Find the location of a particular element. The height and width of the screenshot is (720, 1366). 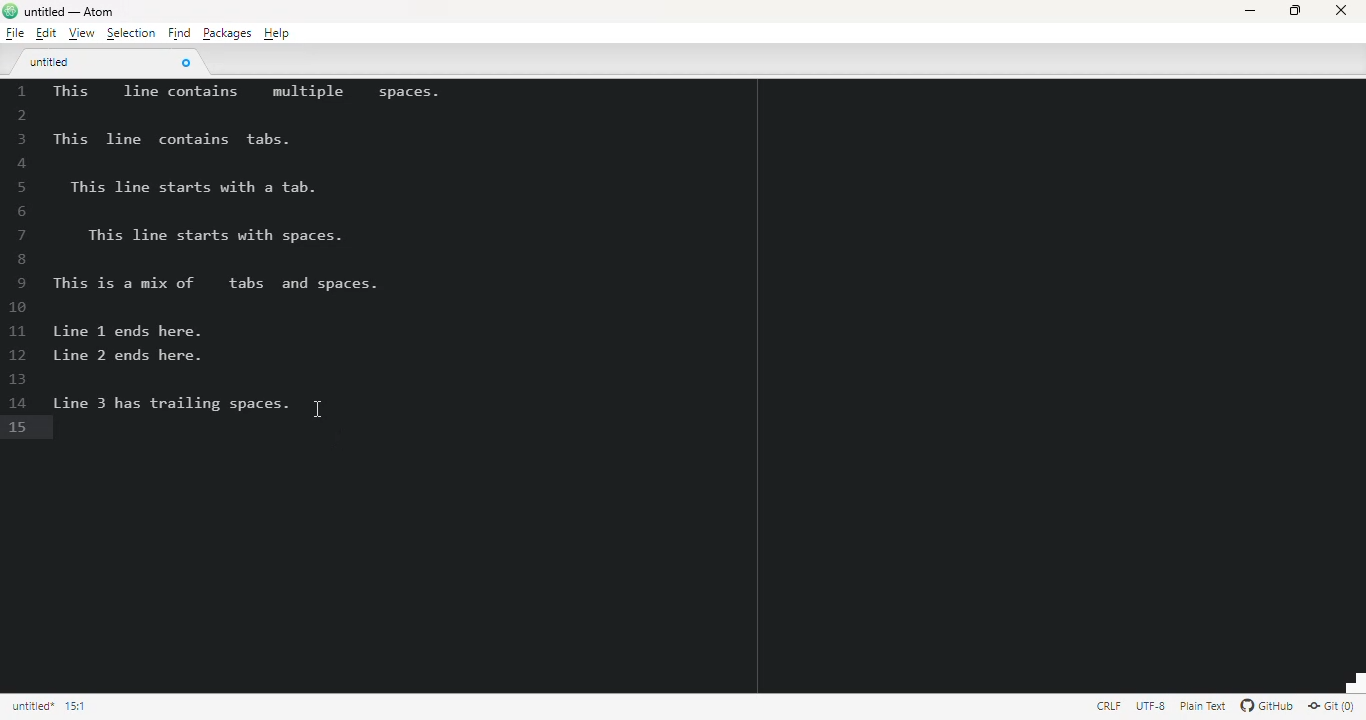

packages is located at coordinates (226, 33).